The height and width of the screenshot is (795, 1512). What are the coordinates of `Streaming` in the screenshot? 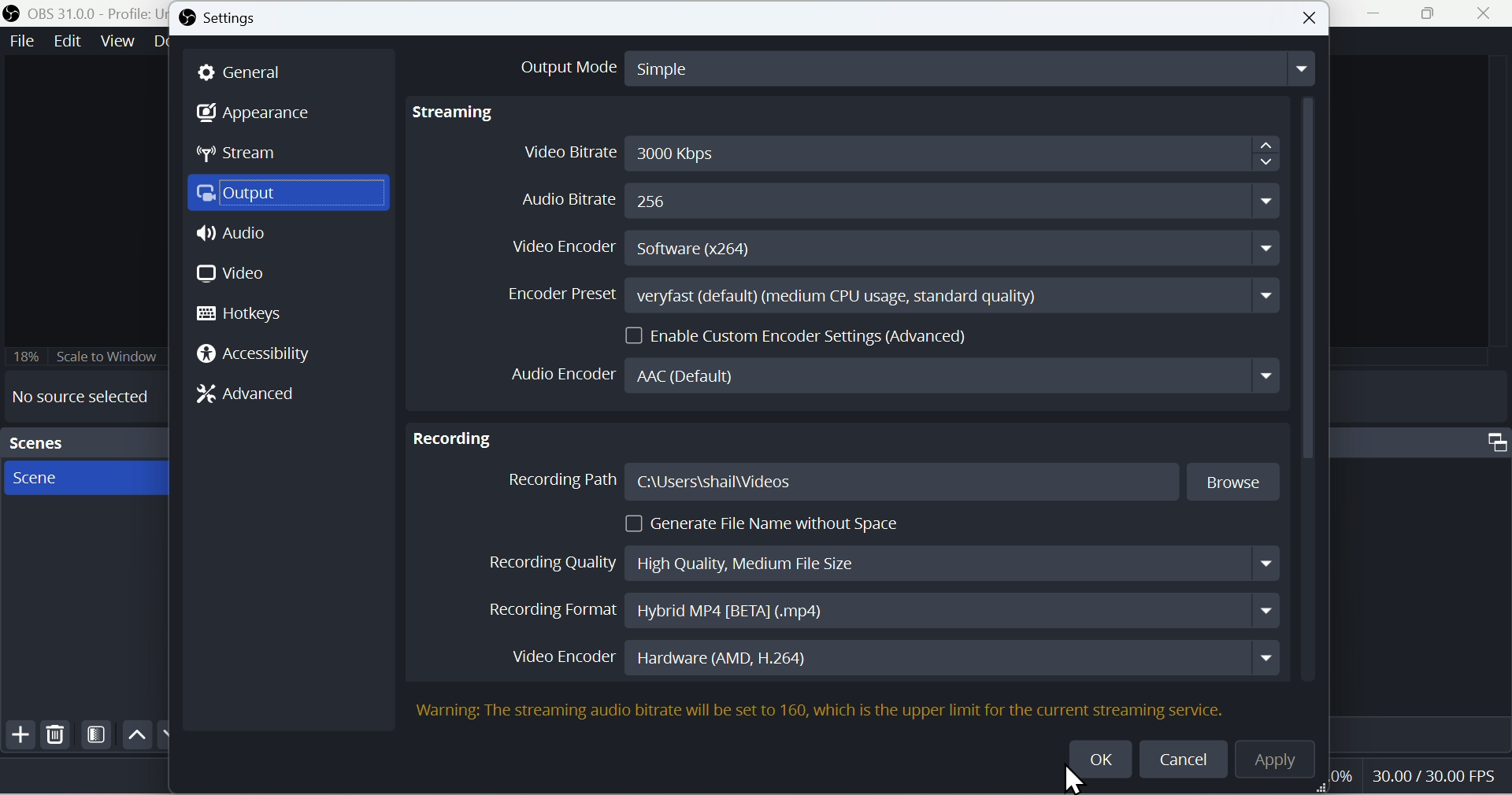 It's located at (458, 113).